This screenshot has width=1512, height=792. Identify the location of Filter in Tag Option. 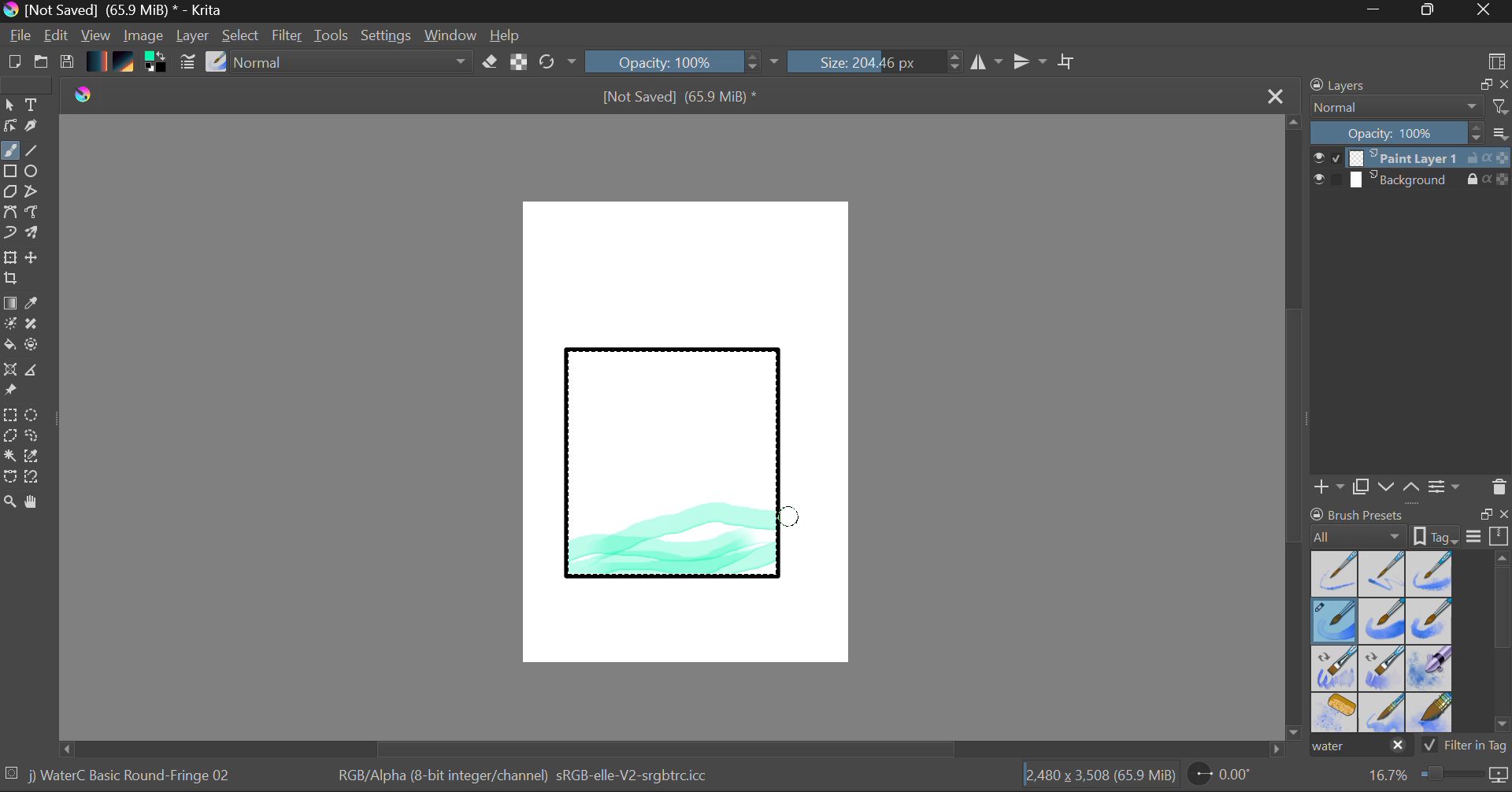
(1466, 747).